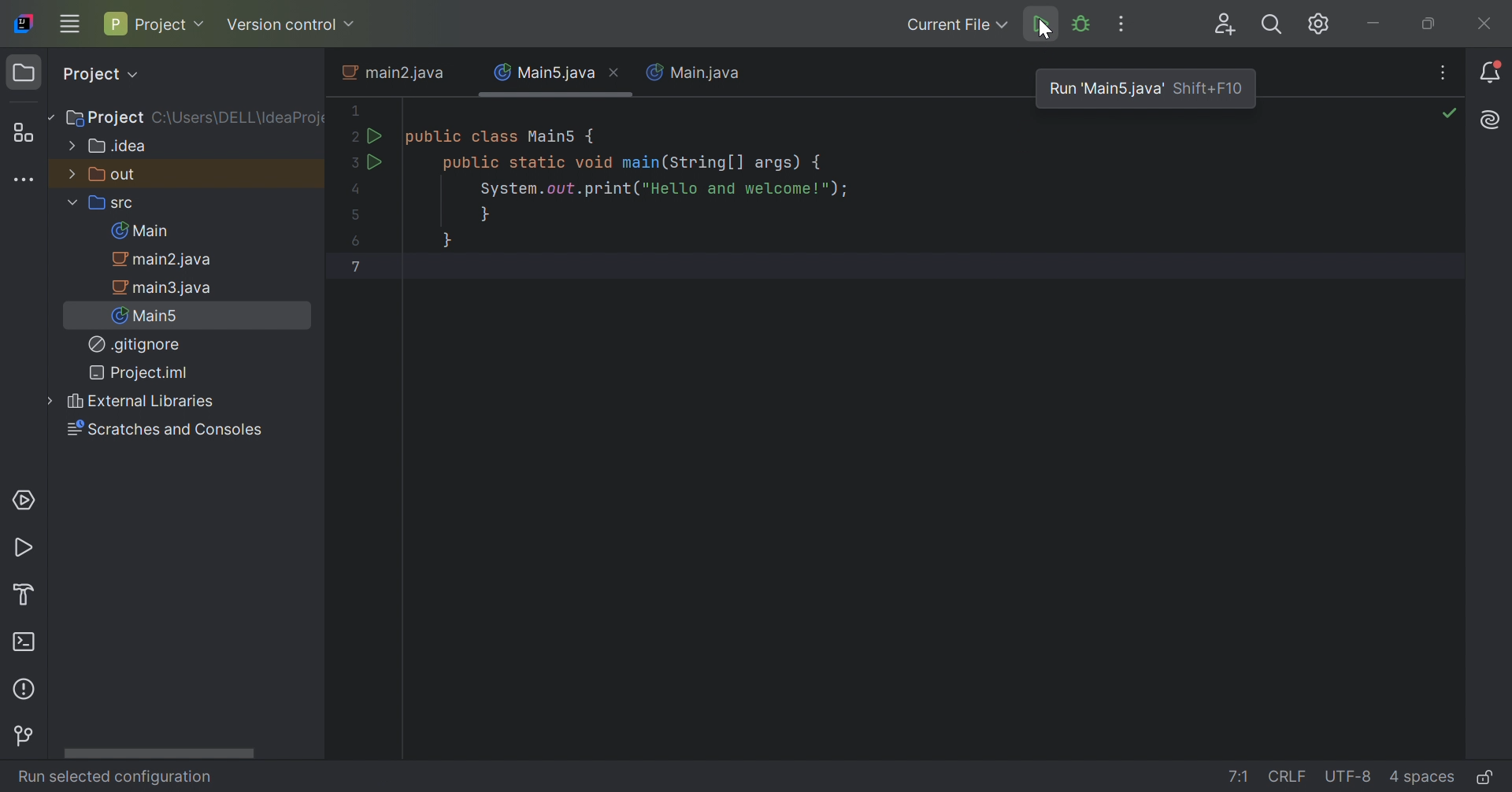 This screenshot has height=792, width=1512. I want to click on Problems, so click(26, 690).